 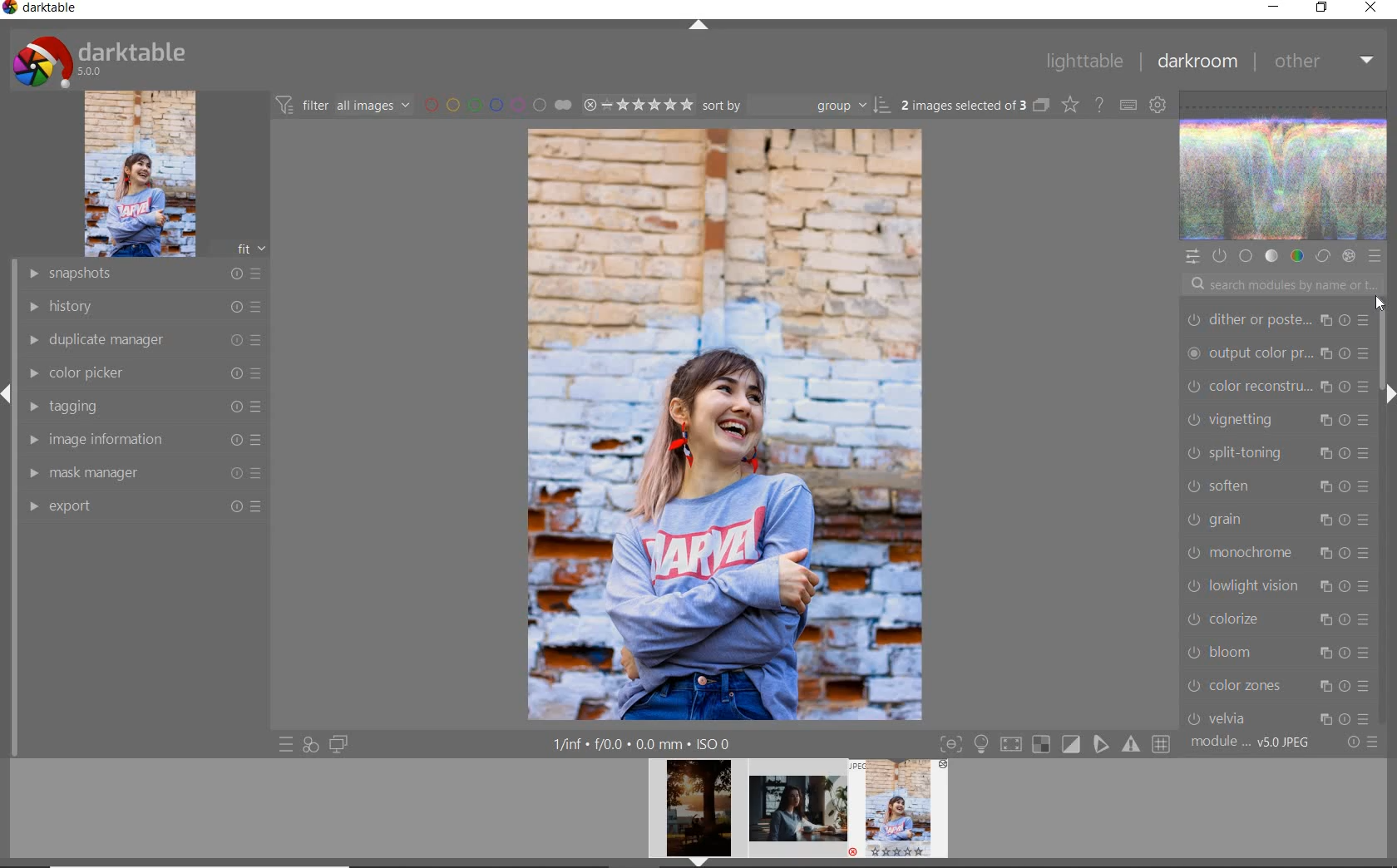 I want to click on RSTORE, so click(x=1319, y=8).